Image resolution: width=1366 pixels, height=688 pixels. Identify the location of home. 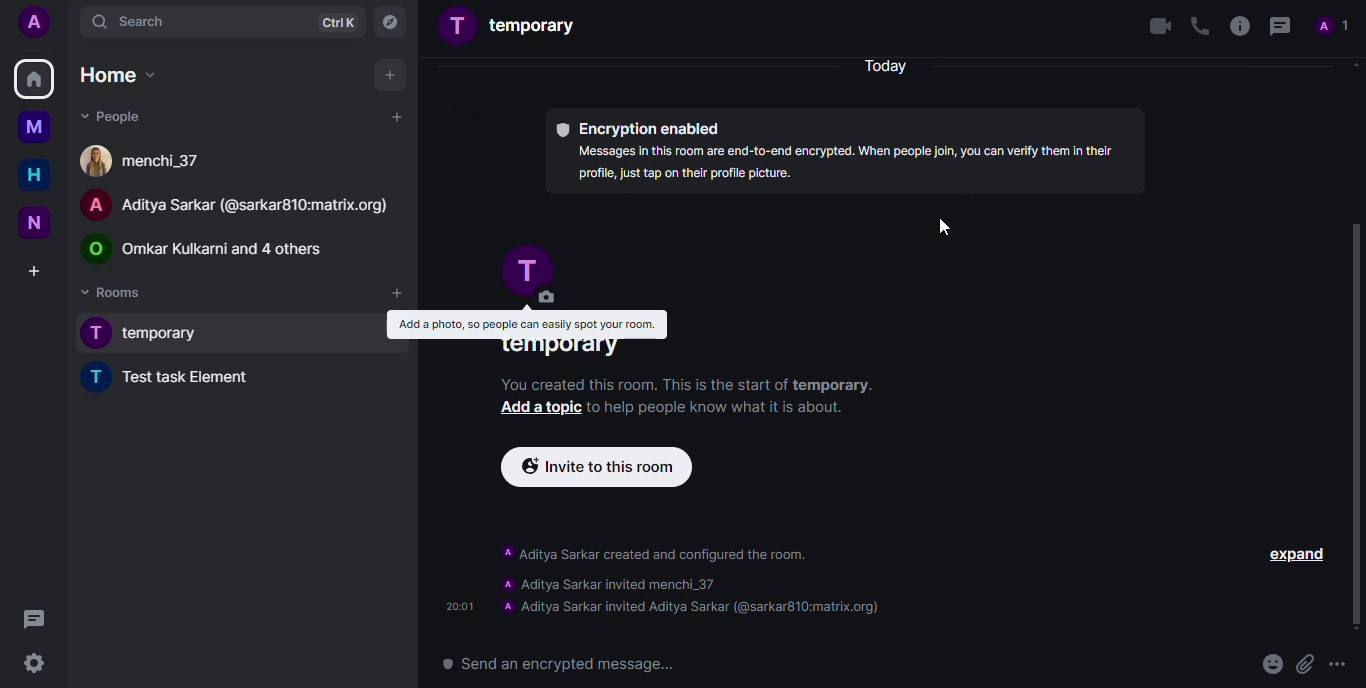
(28, 175).